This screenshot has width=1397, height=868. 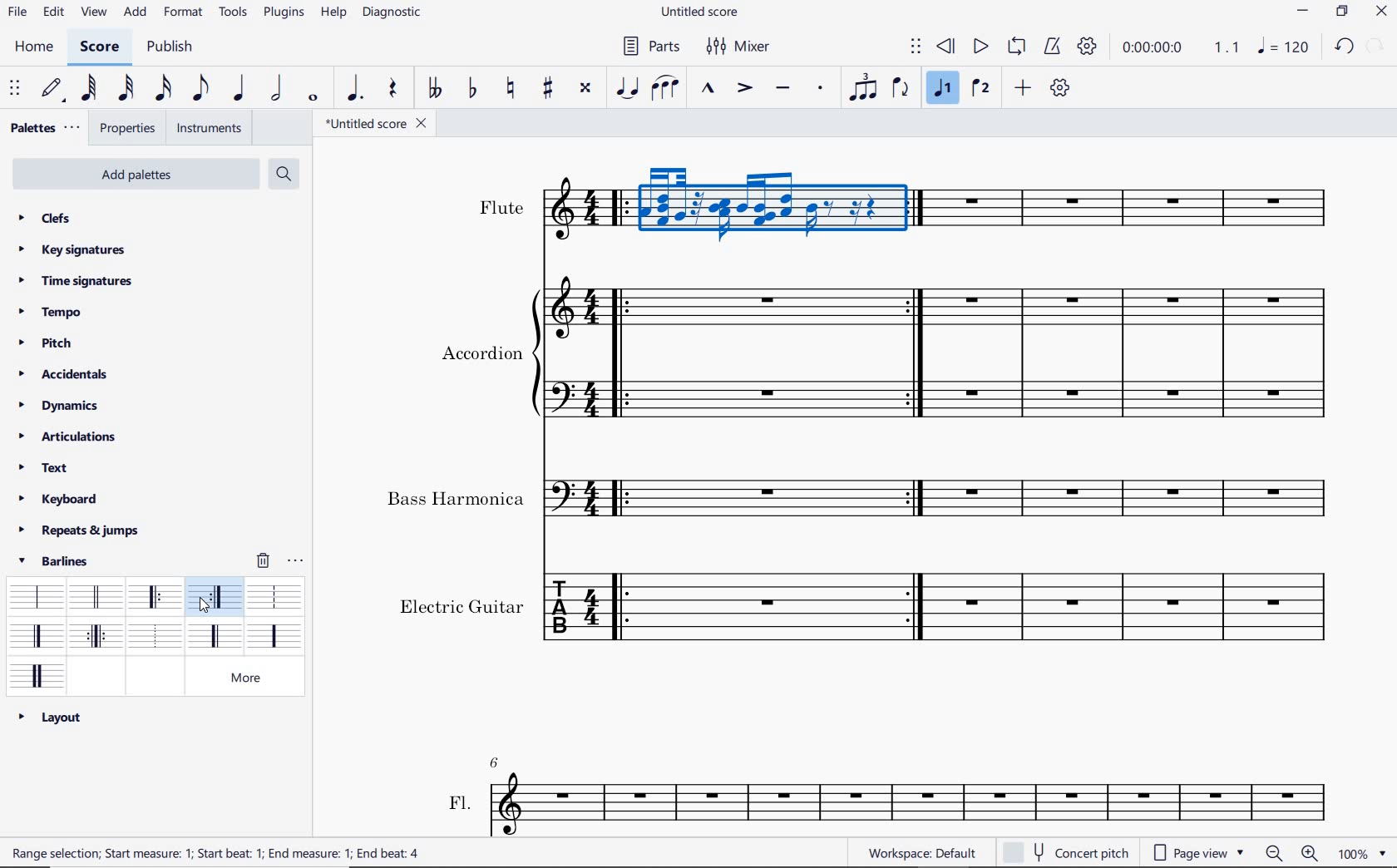 I want to click on options, so click(x=297, y=560).